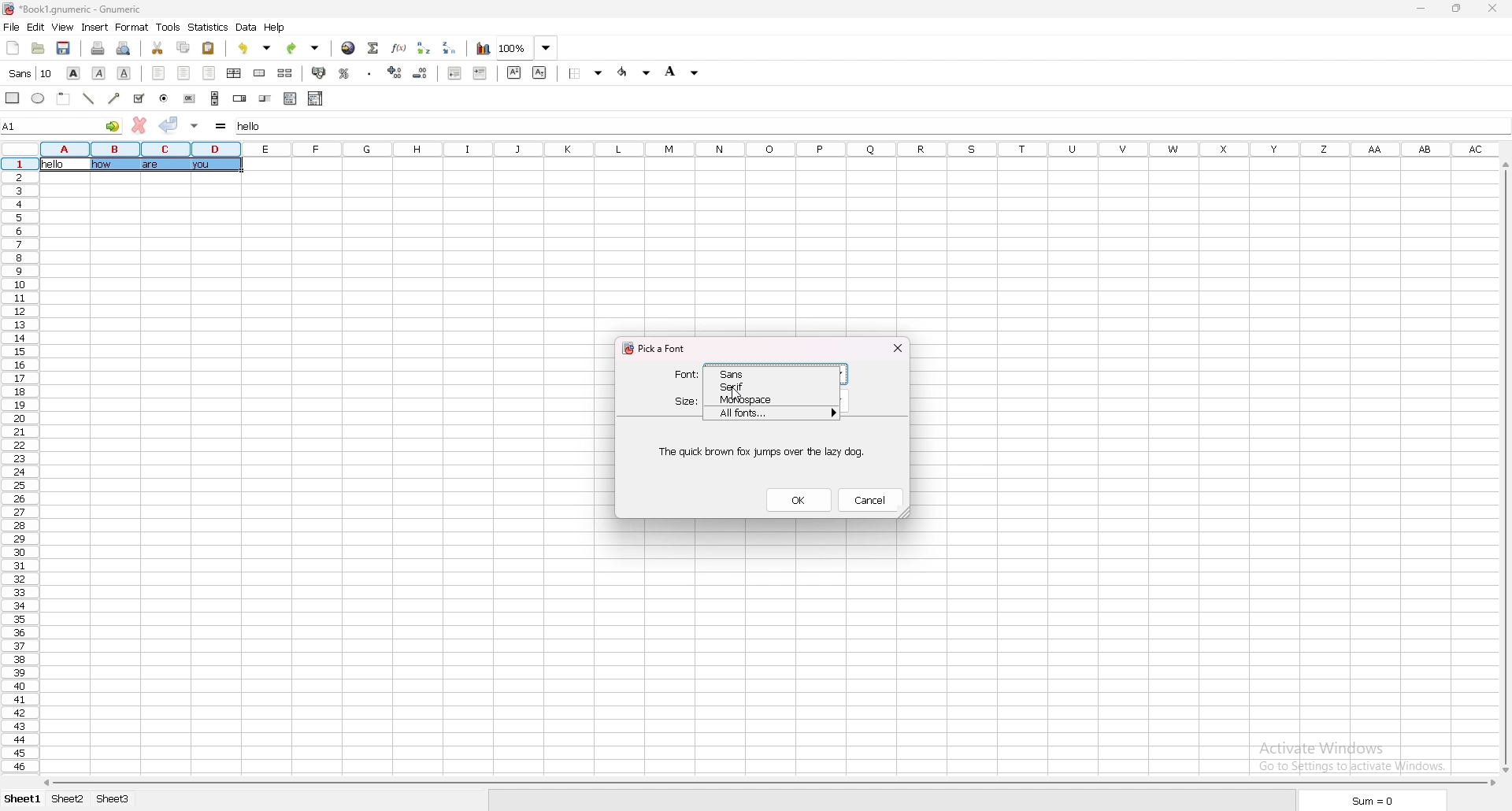 Image resolution: width=1512 pixels, height=811 pixels. Describe the element at coordinates (215, 98) in the screenshot. I see `scroll bar` at that location.